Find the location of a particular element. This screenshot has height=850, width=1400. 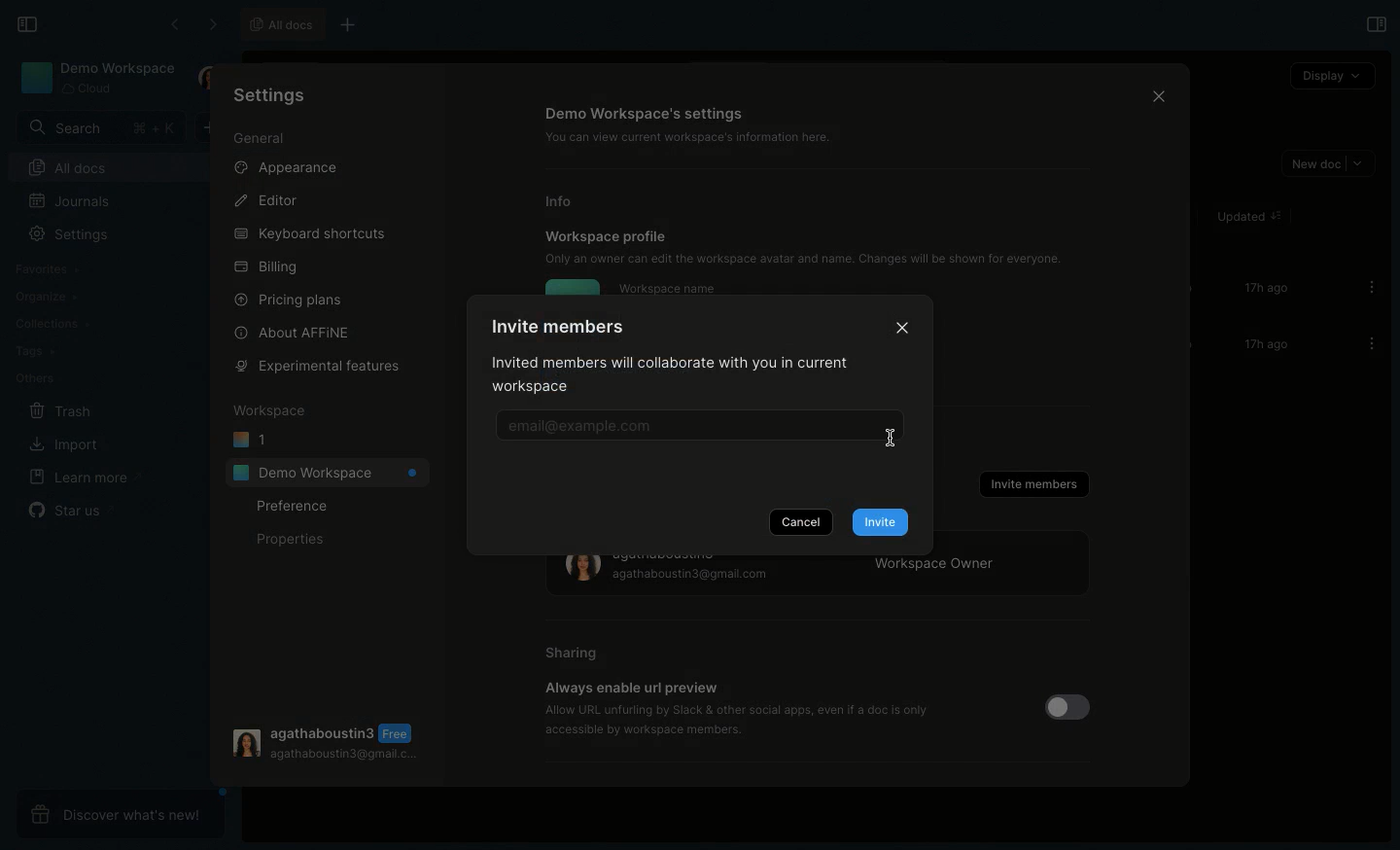

Cancel is located at coordinates (800, 521).